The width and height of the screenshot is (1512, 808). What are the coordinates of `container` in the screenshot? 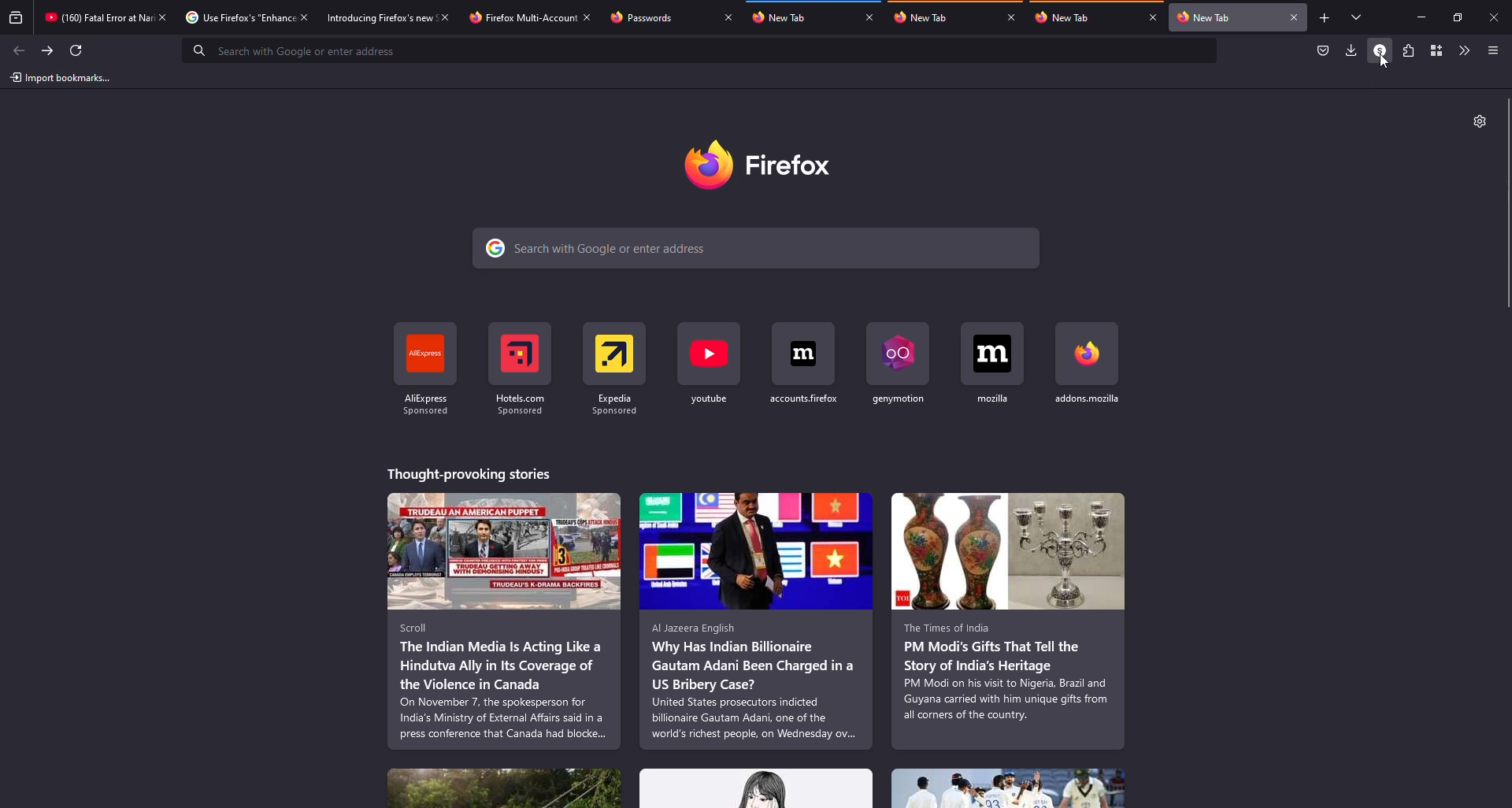 It's located at (1435, 50).